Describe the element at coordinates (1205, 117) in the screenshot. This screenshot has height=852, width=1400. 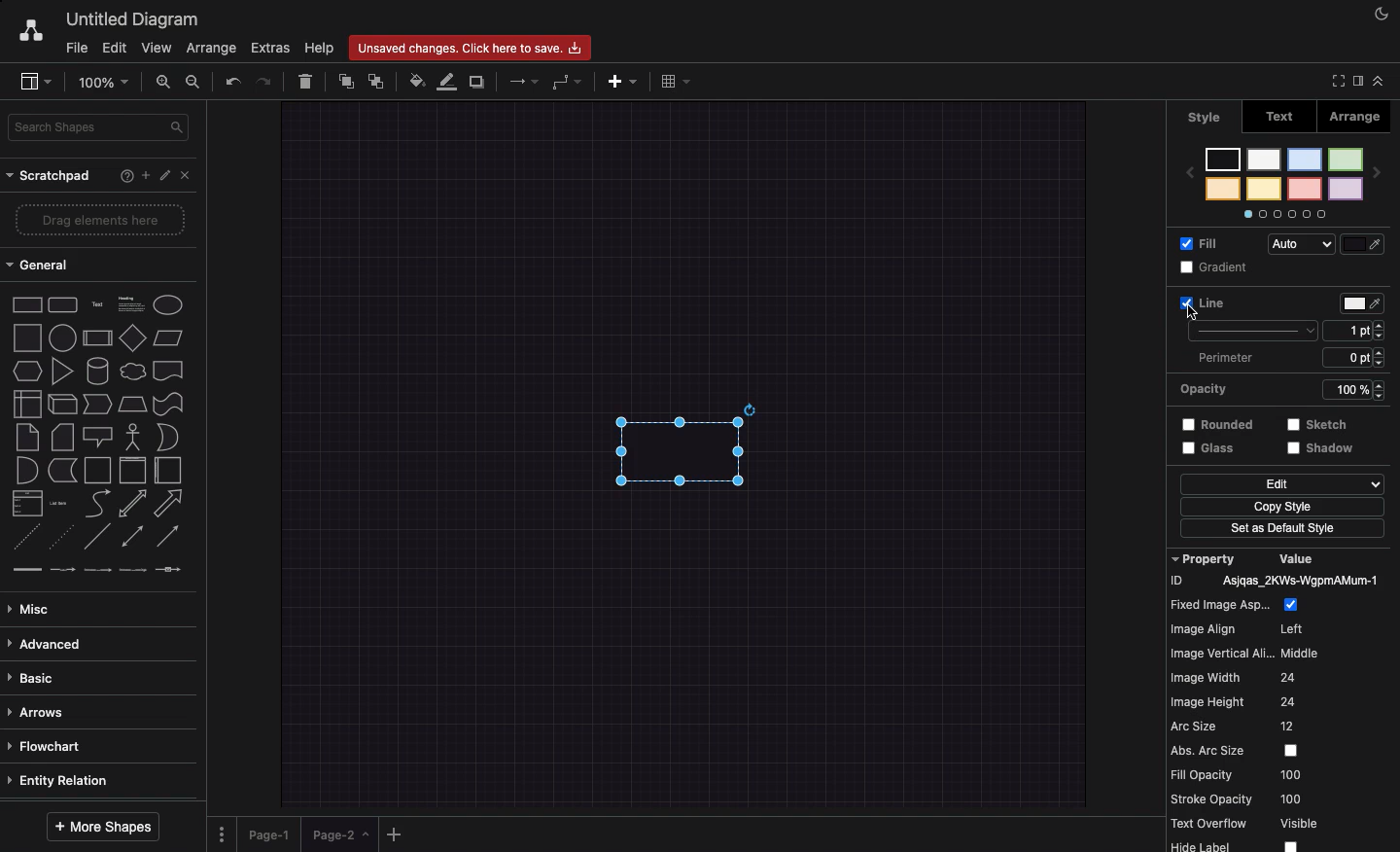
I see `style` at that location.